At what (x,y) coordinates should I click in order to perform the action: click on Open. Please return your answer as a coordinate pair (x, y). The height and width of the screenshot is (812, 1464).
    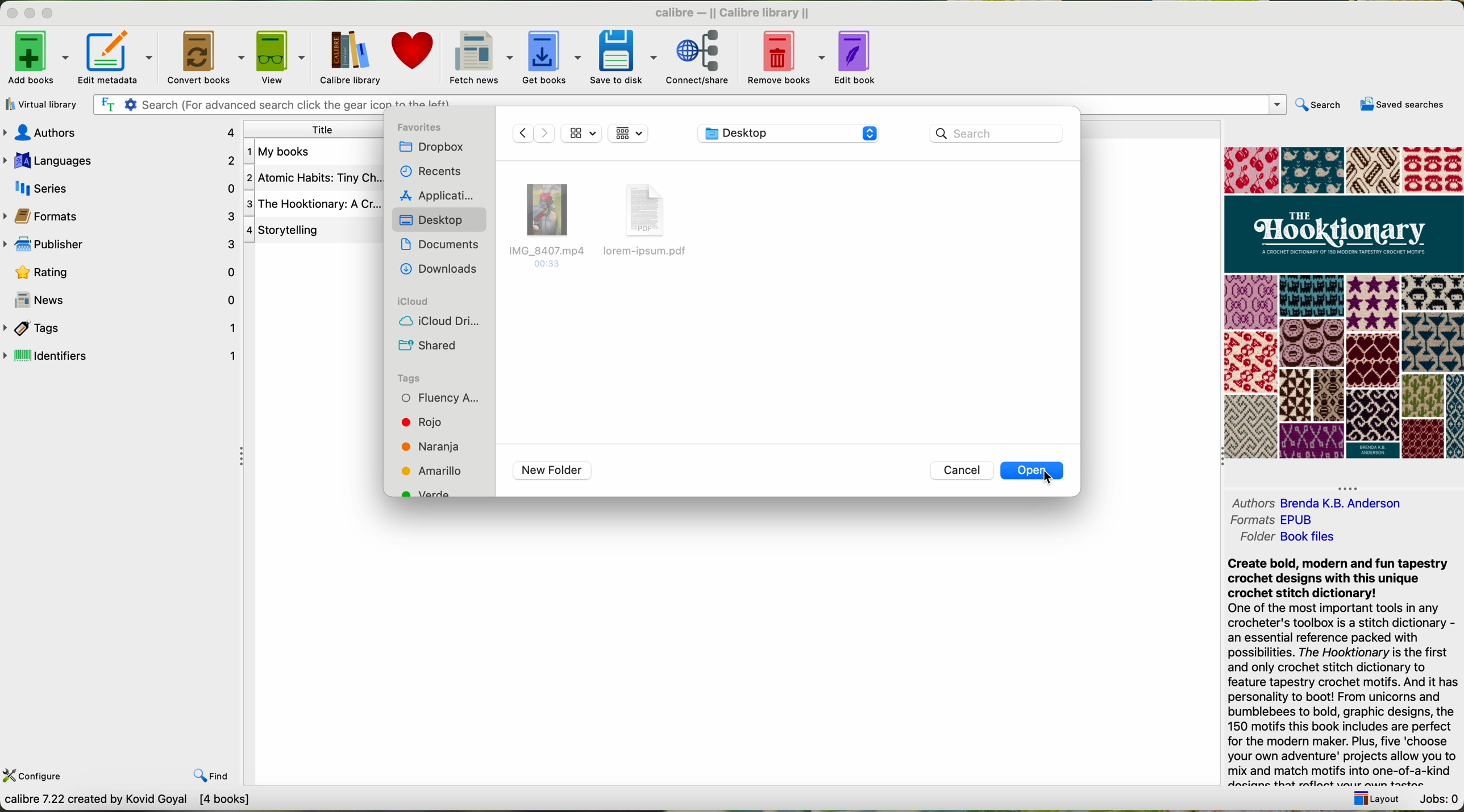
    Looking at the image, I should click on (1031, 472).